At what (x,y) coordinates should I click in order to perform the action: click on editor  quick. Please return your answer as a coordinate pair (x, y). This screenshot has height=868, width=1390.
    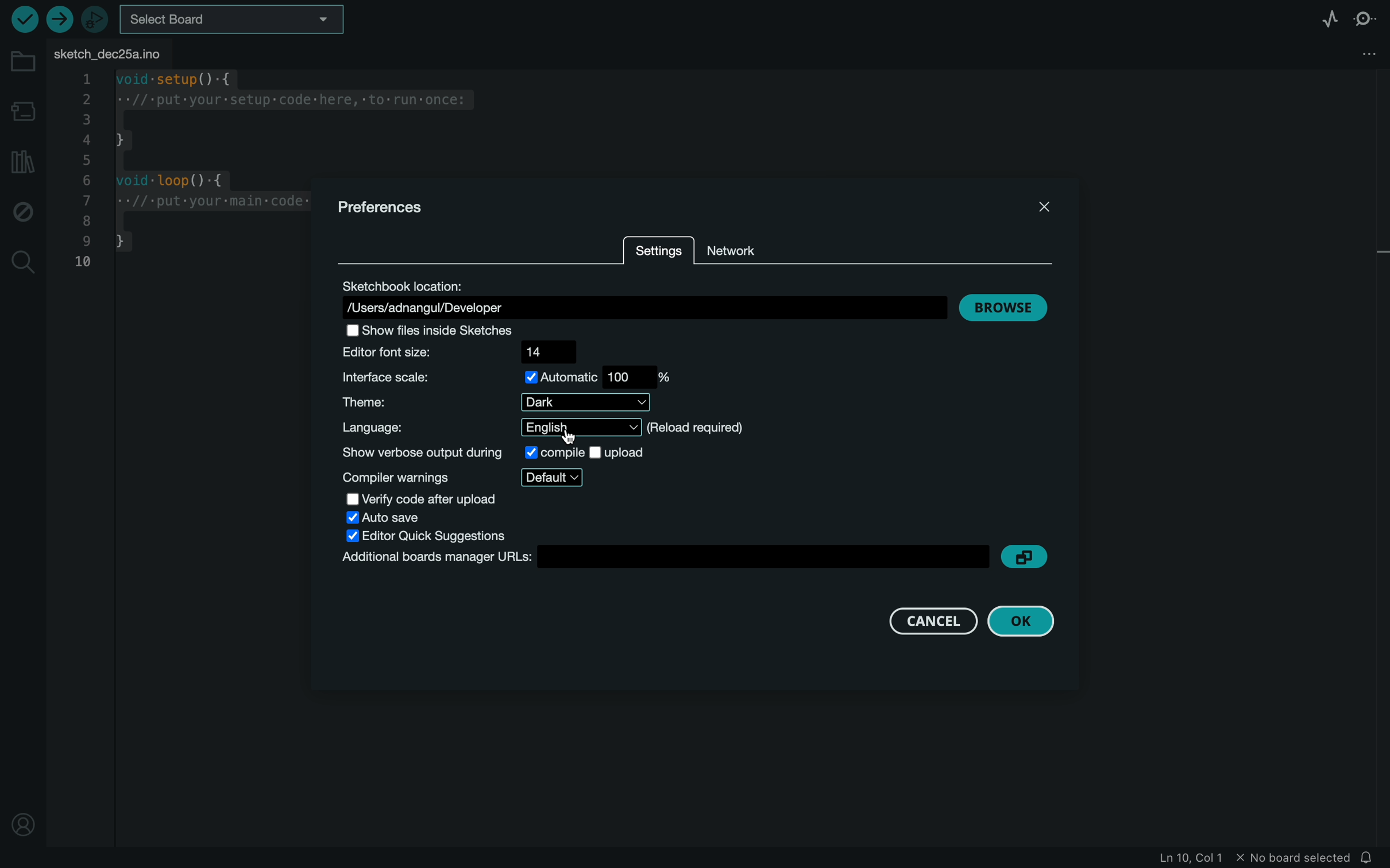
    Looking at the image, I should click on (431, 536).